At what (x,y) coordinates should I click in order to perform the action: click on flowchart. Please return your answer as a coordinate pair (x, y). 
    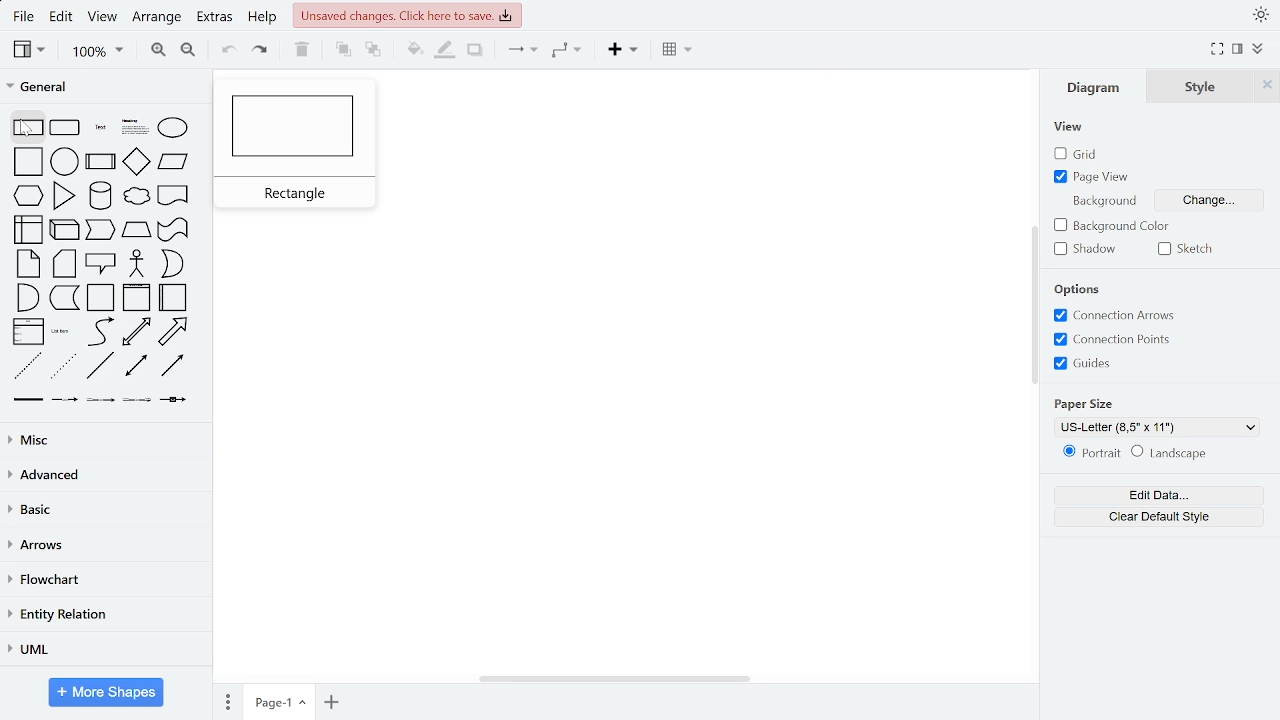
    Looking at the image, I should click on (102, 579).